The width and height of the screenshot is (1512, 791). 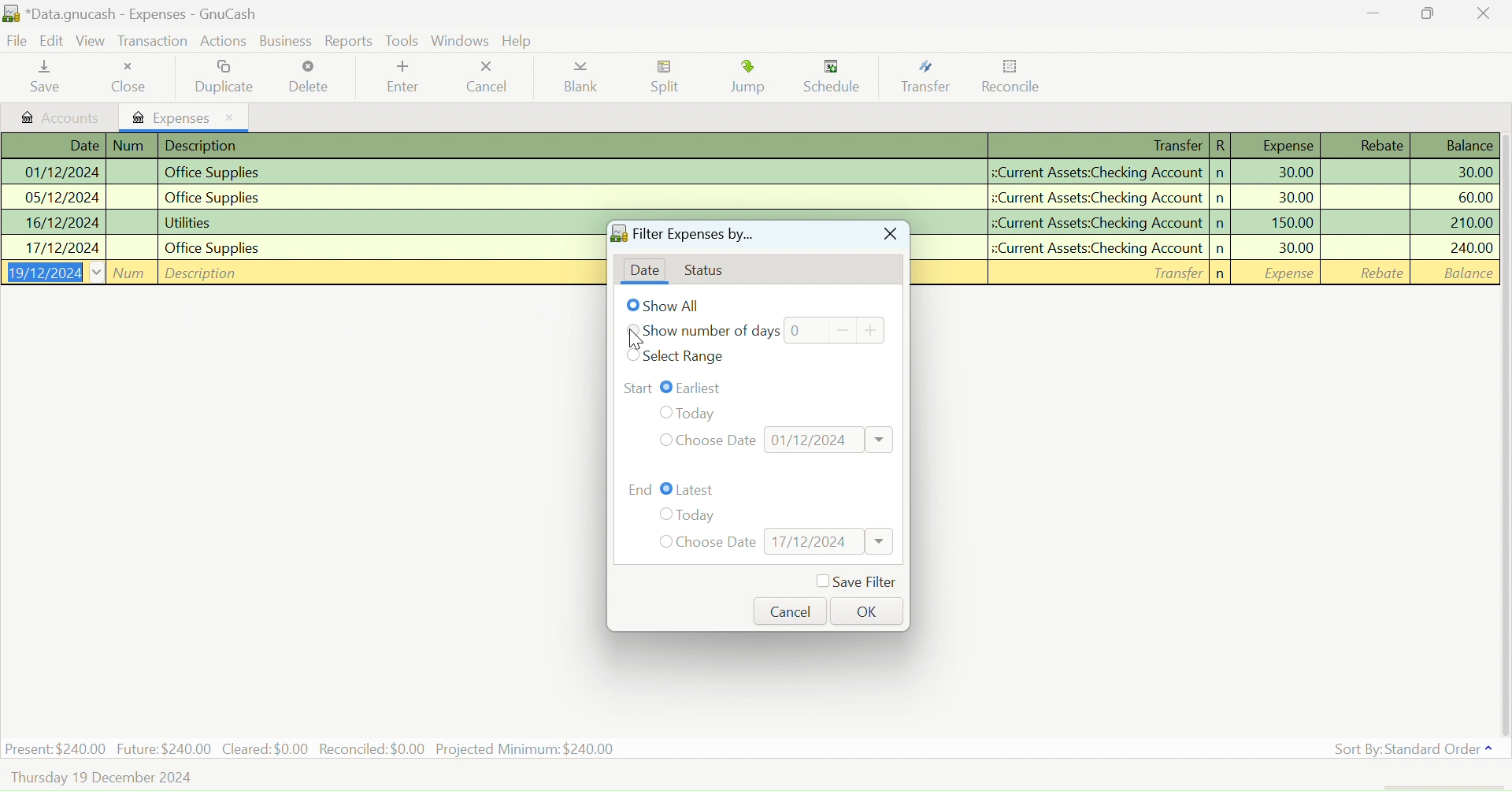 I want to click on Edit, so click(x=53, y=42).